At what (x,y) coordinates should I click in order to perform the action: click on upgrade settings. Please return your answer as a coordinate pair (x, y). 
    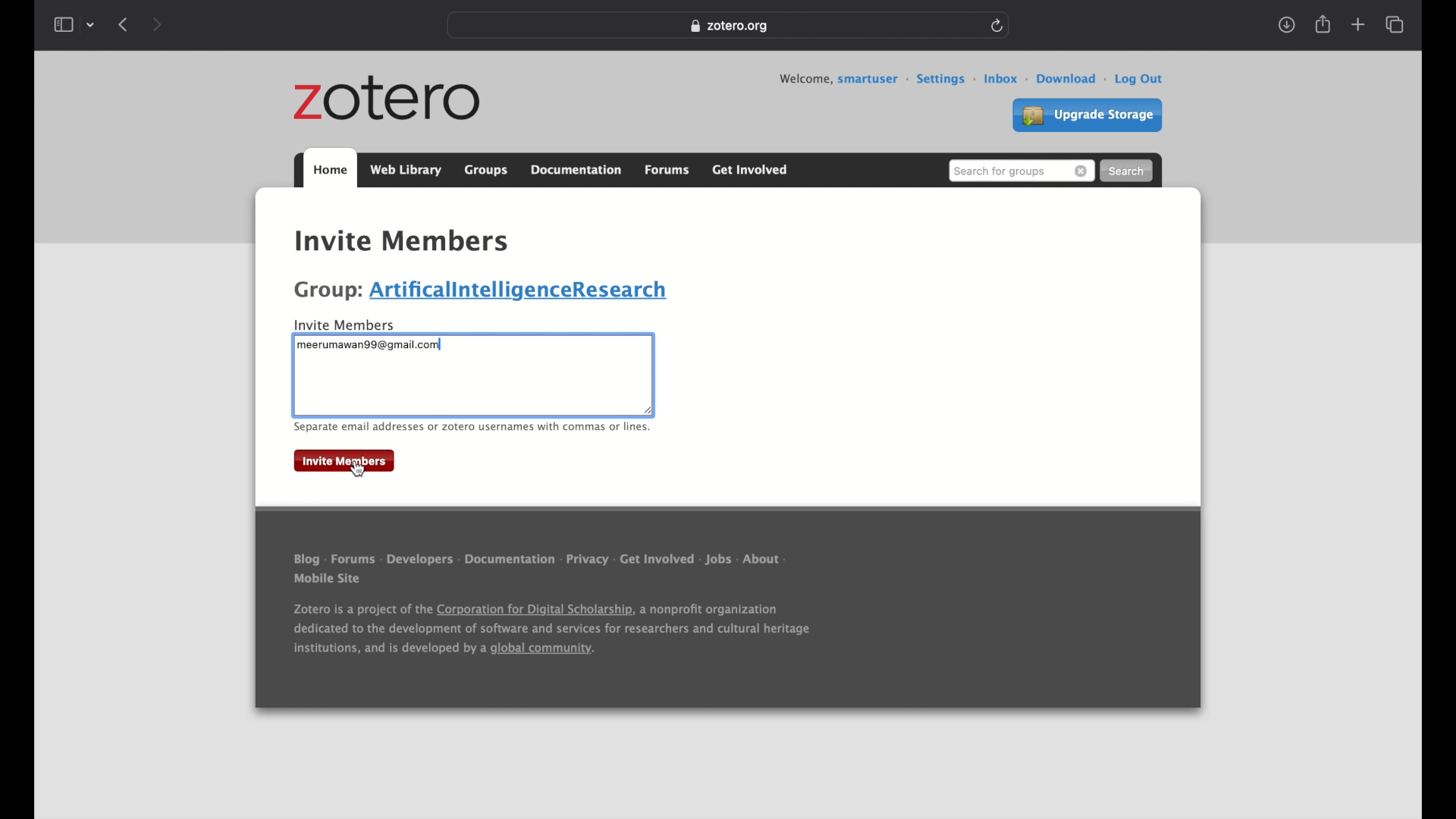
    Looking at the image, I should click on (1087, 115).